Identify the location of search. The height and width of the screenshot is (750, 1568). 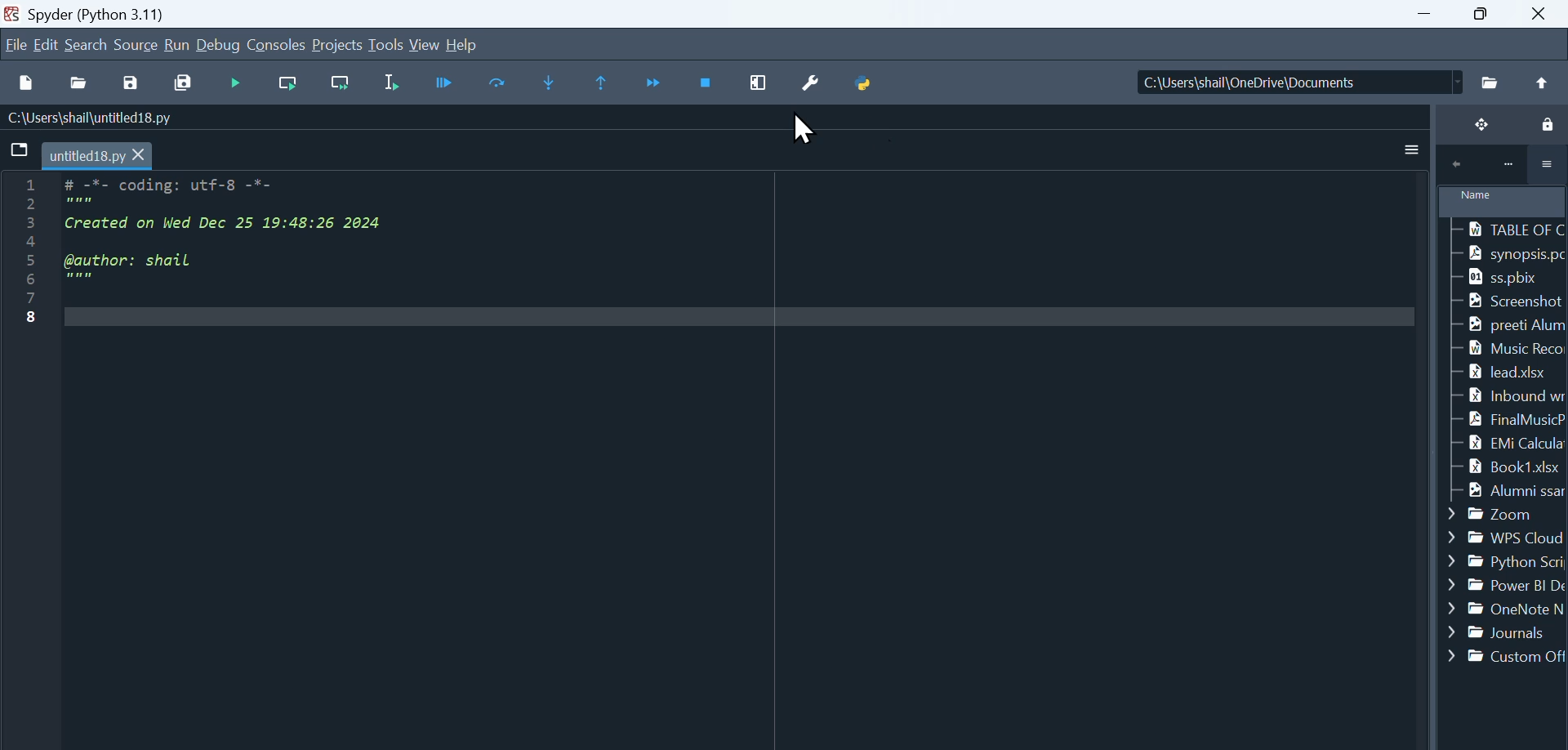
(87, 44).